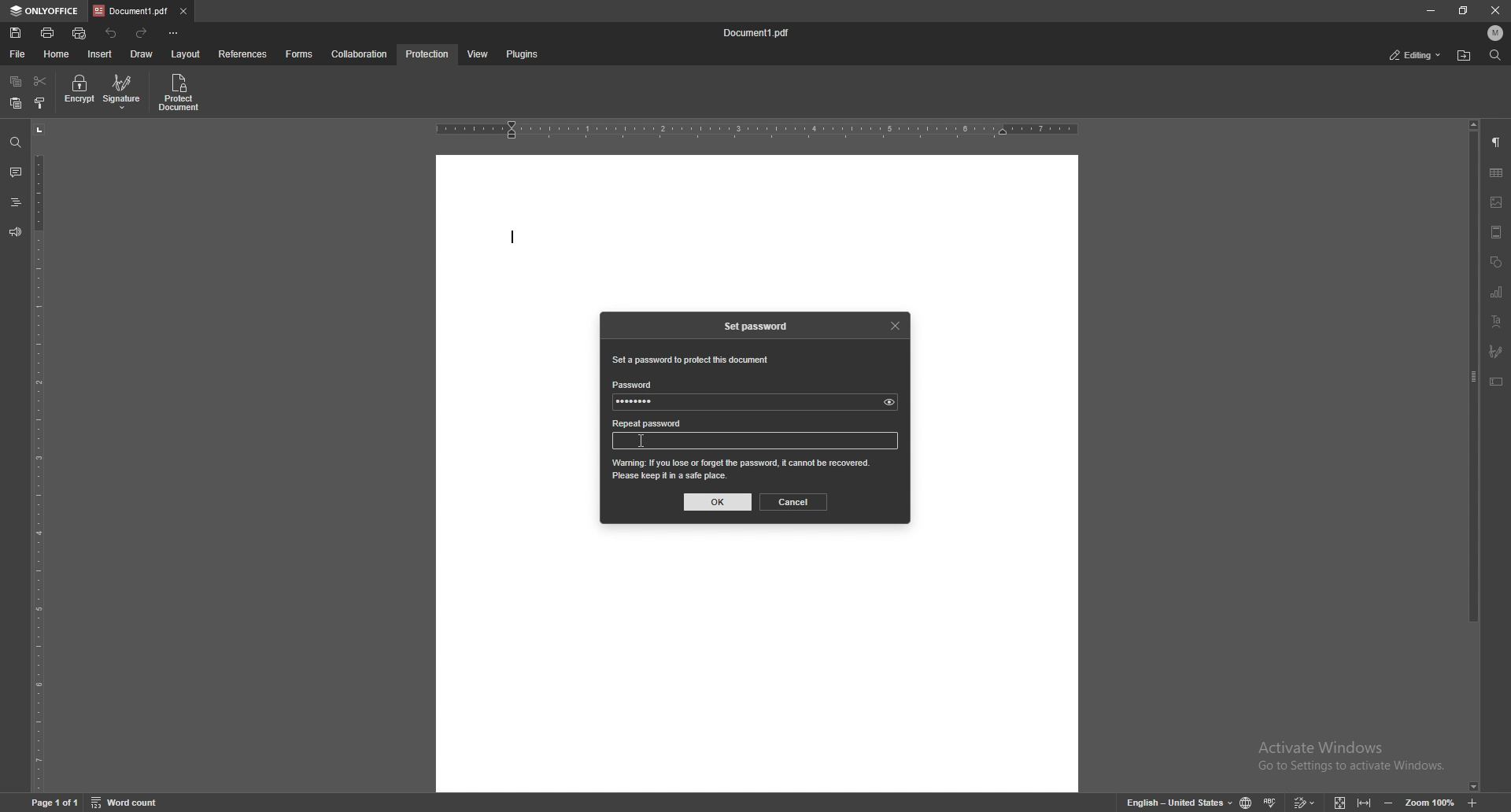  Describe the element at coordinates (1180, 801) in the screenshot. I see `change text language` at that location.